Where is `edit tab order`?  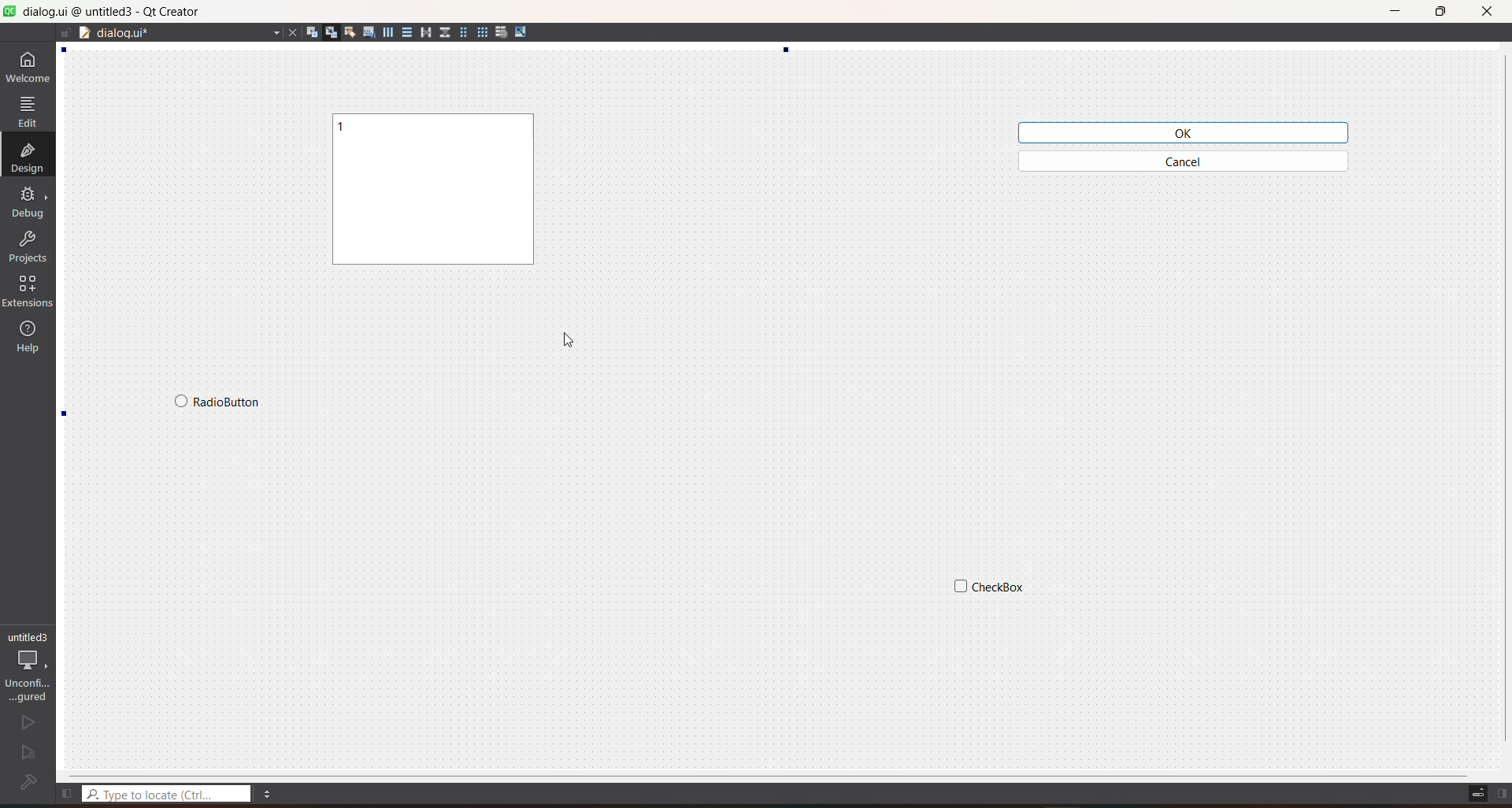 edit tab order is located at coordinates (369, 35).